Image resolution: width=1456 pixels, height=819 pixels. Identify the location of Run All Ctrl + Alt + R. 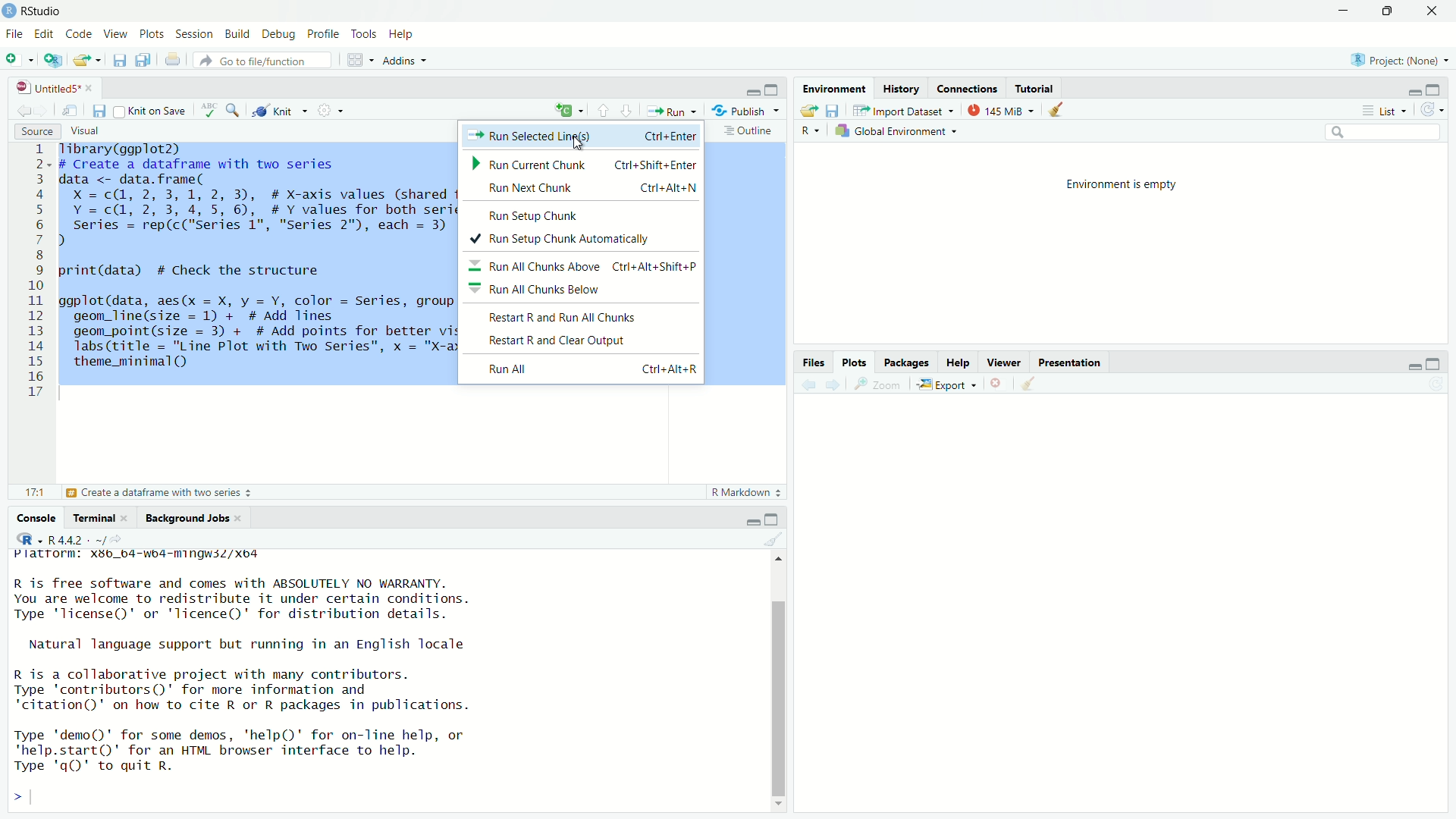
(588, 368).